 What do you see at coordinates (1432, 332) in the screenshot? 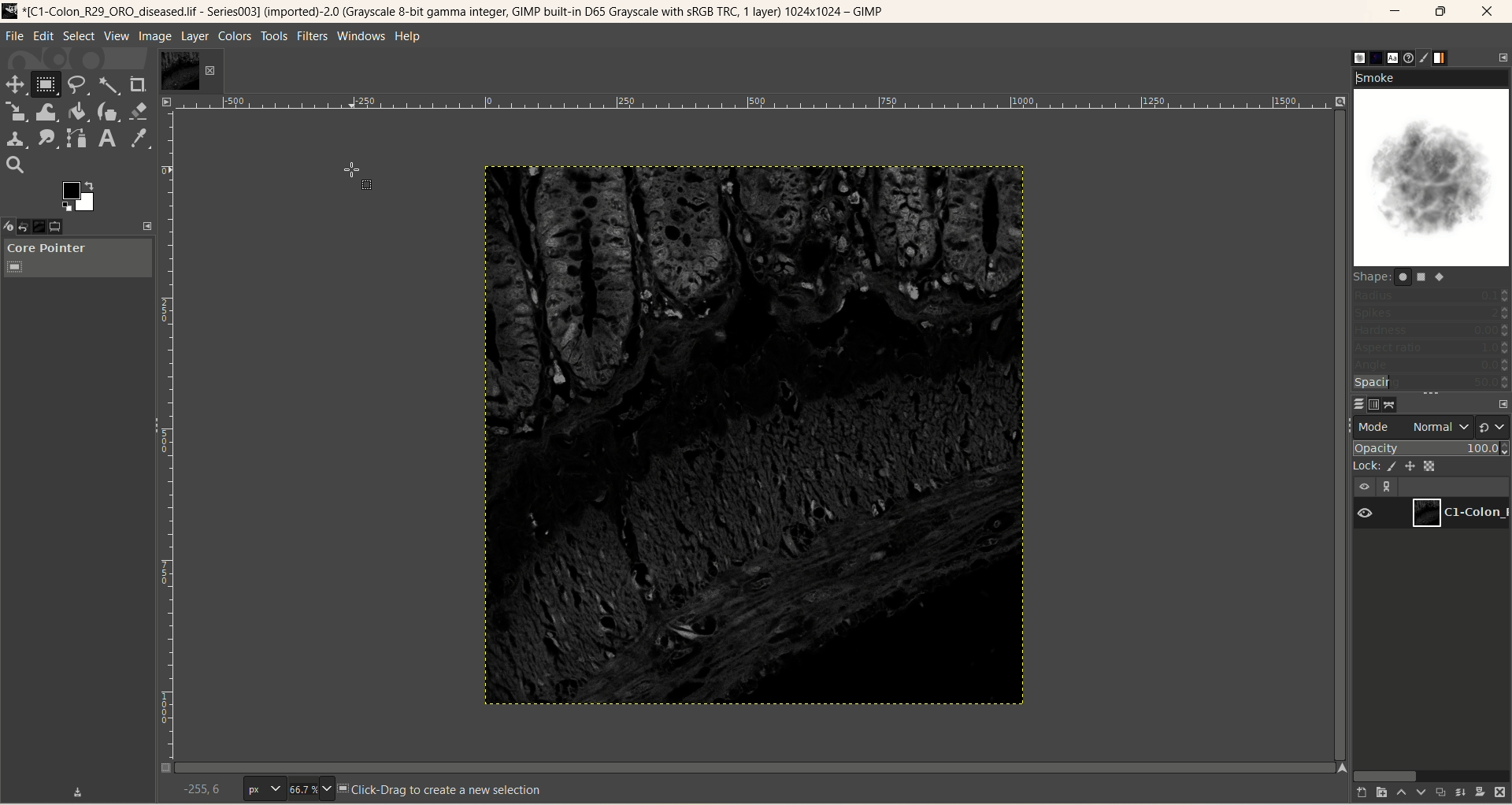
I see `hardness` at bounding box center [1432, 332].